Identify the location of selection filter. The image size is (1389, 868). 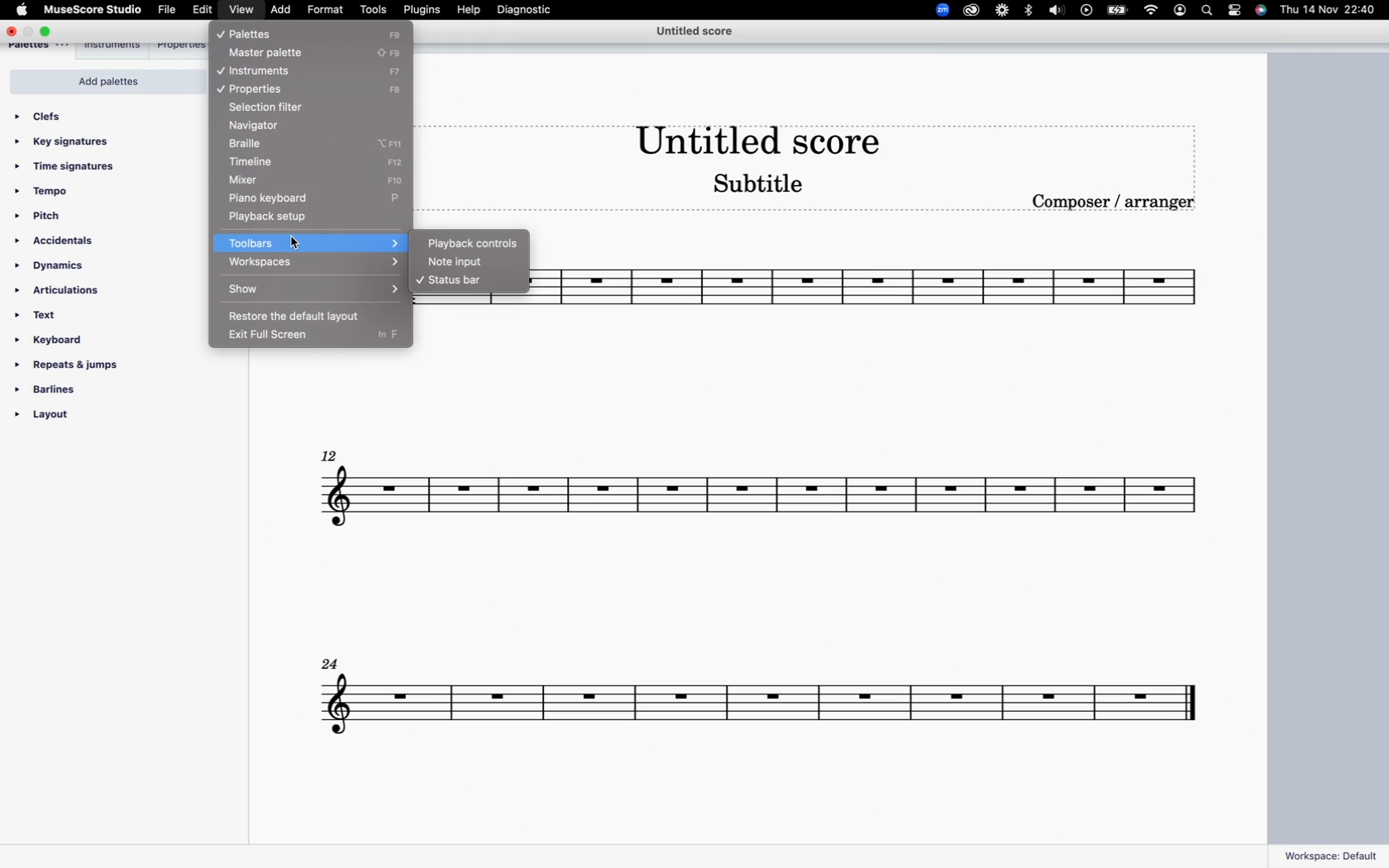
(282, 106).